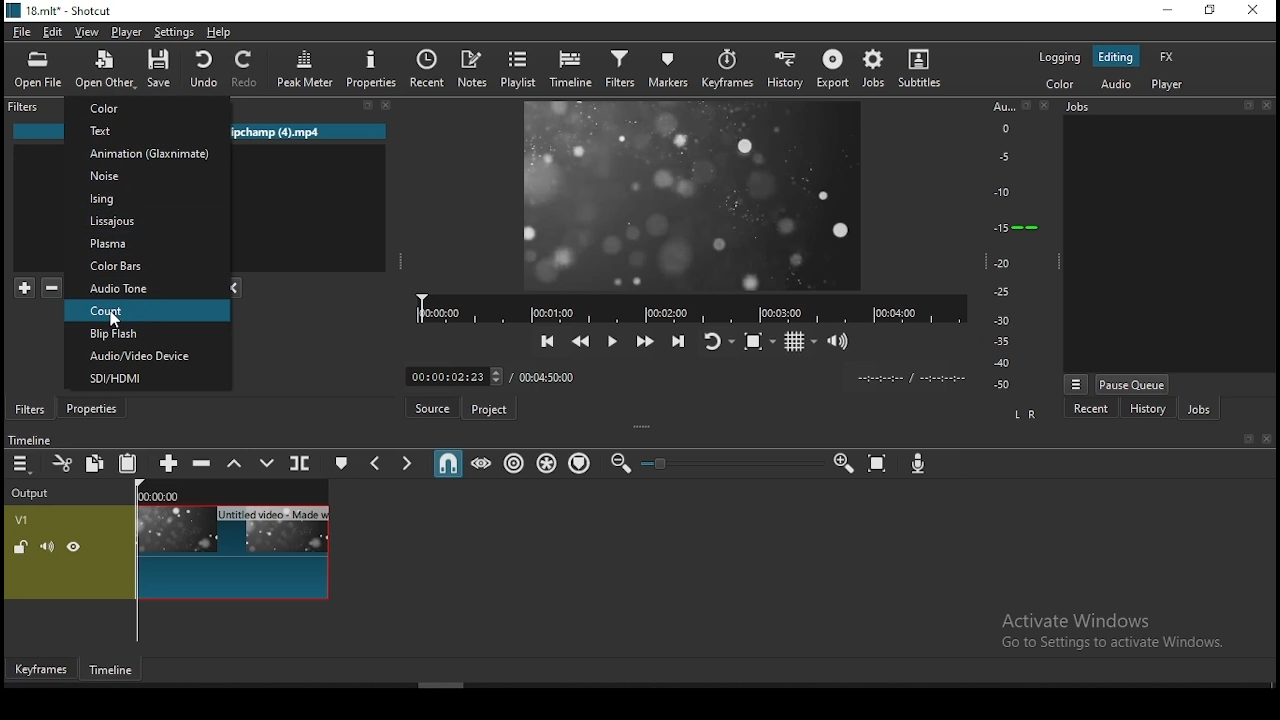 The width and height of the screenshot is (1280, 720). I want to click on track timer, so click(547, 376).